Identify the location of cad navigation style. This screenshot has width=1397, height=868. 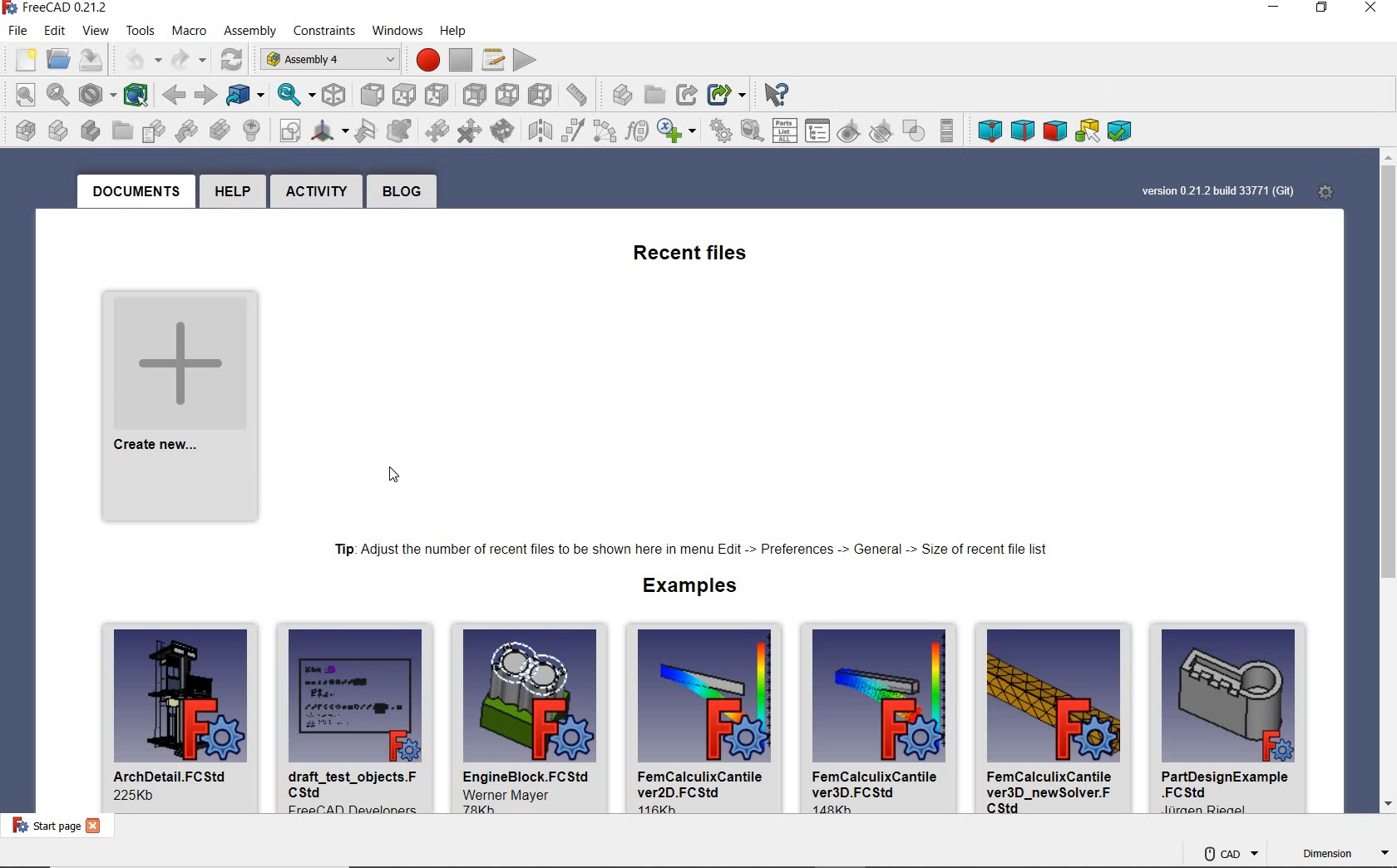
(1230, 852).